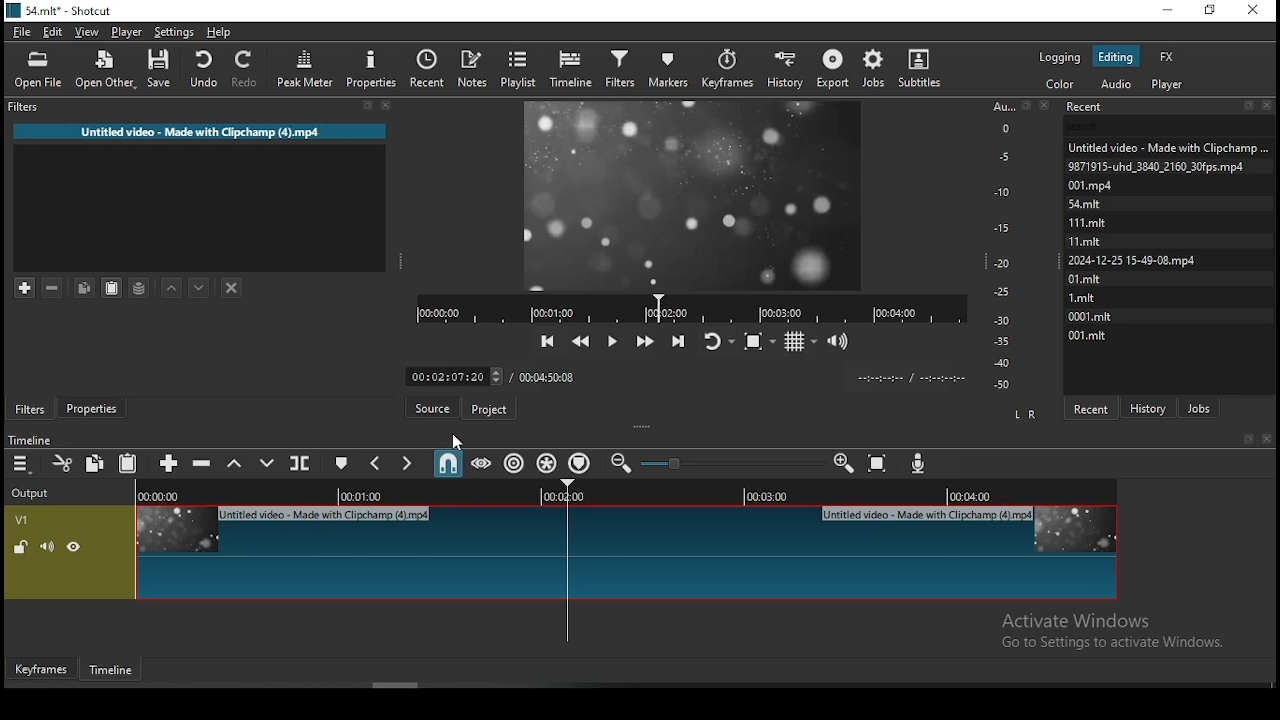 Image resolution: width=1280 pixels, height=720 pixels. I want to click on minimize, so click(1166, 11).